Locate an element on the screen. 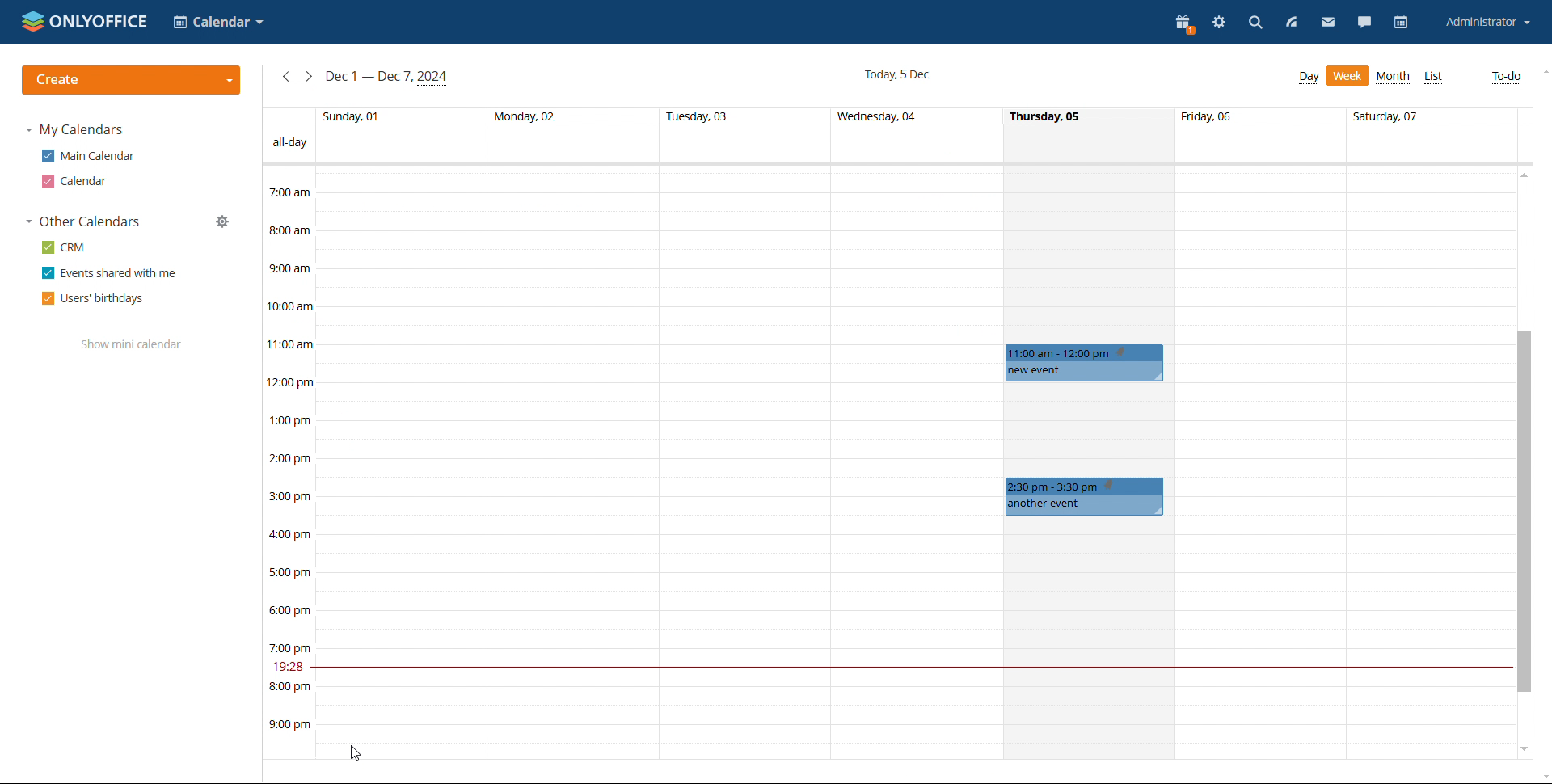 This screenshot has height=784, width=1552. settings is located at coordinates (1221, 23).